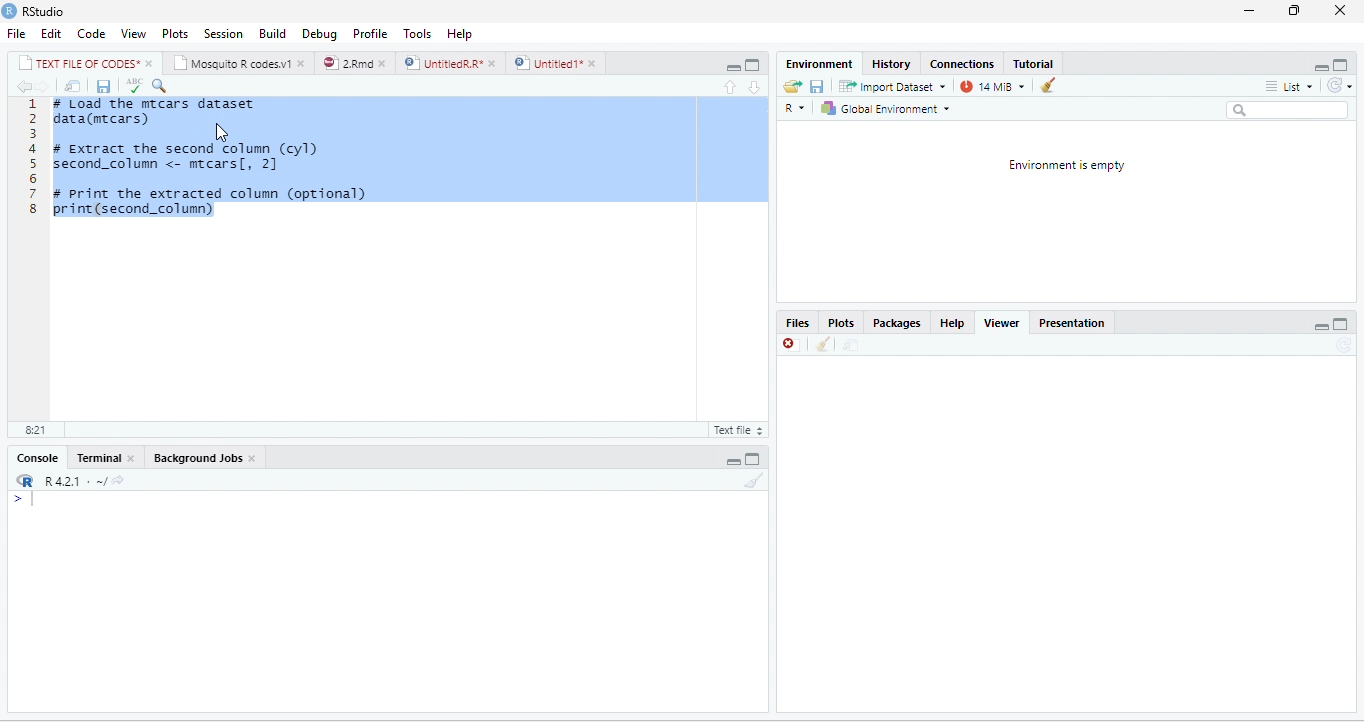 The width and height of the screenshot is (1364, 722). What do you see at coordinates (384, 602) in the screenshot?
I see `display` at bounding box center [384, 602].